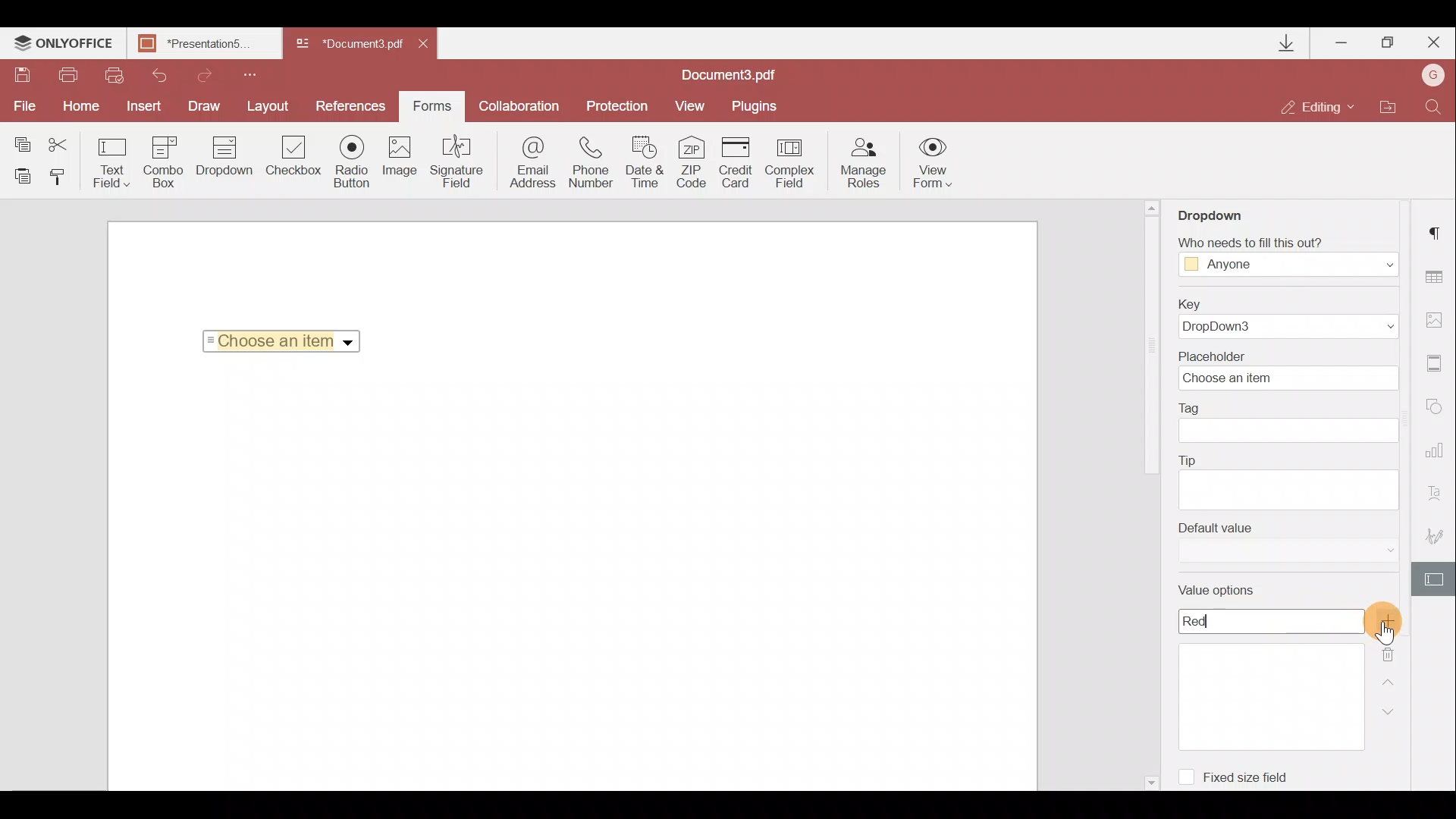  Describe the element at coordinates (1285, 370) in the screenshot. I see `Placeholder` at that location.